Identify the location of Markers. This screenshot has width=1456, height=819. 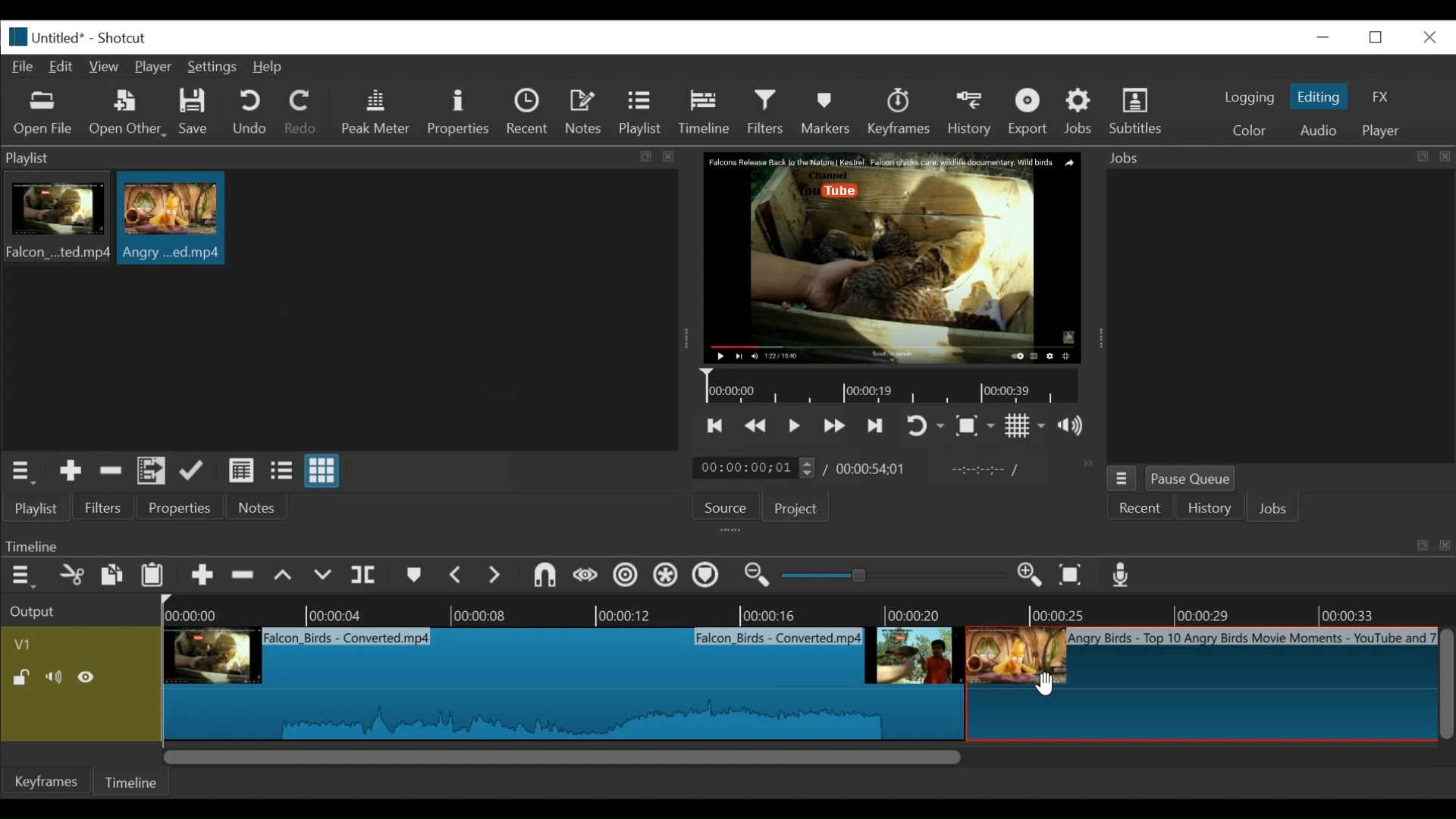
(829, 111).